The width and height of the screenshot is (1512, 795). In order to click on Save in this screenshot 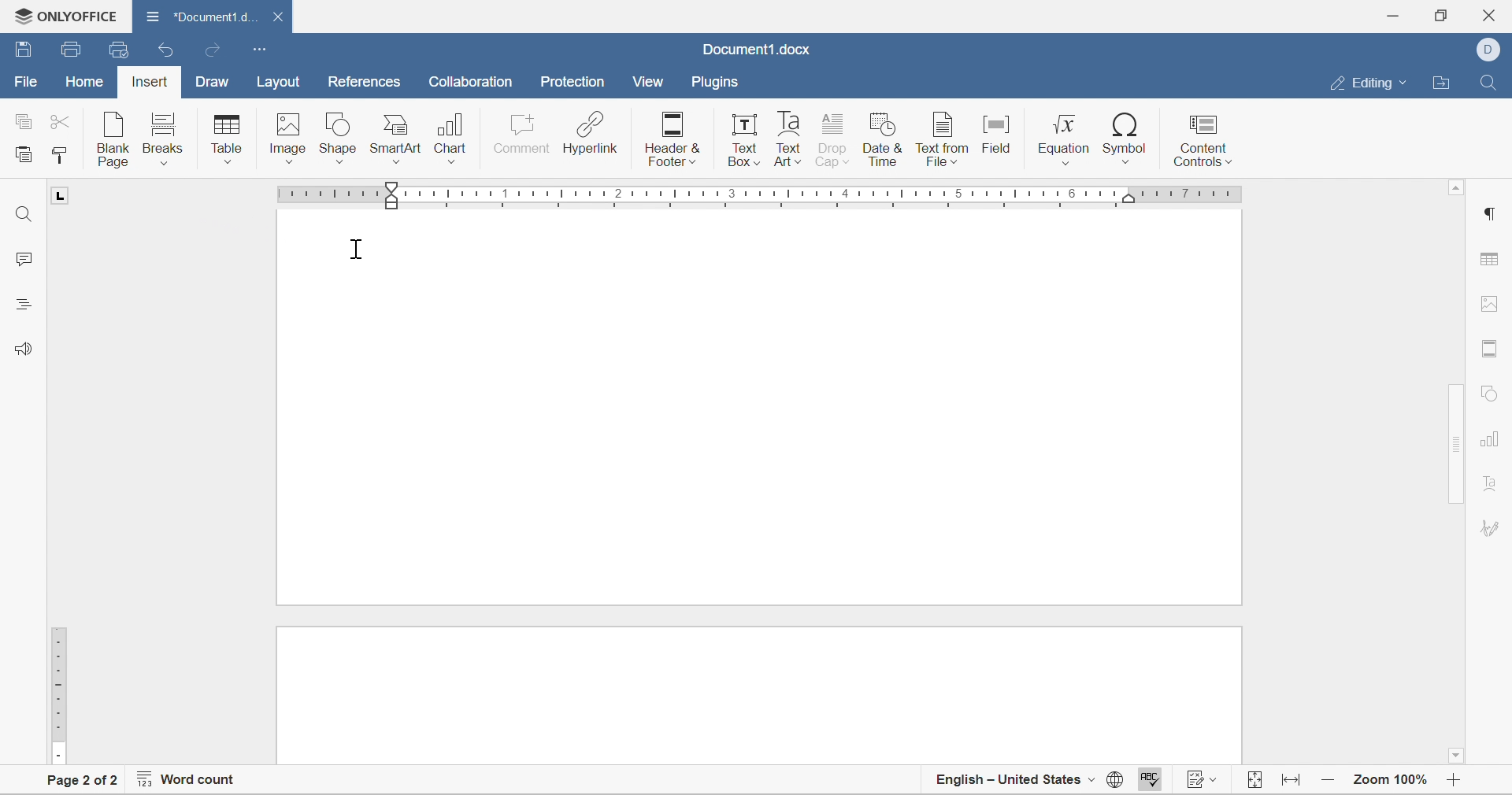, I will do `click(23, 50)`.